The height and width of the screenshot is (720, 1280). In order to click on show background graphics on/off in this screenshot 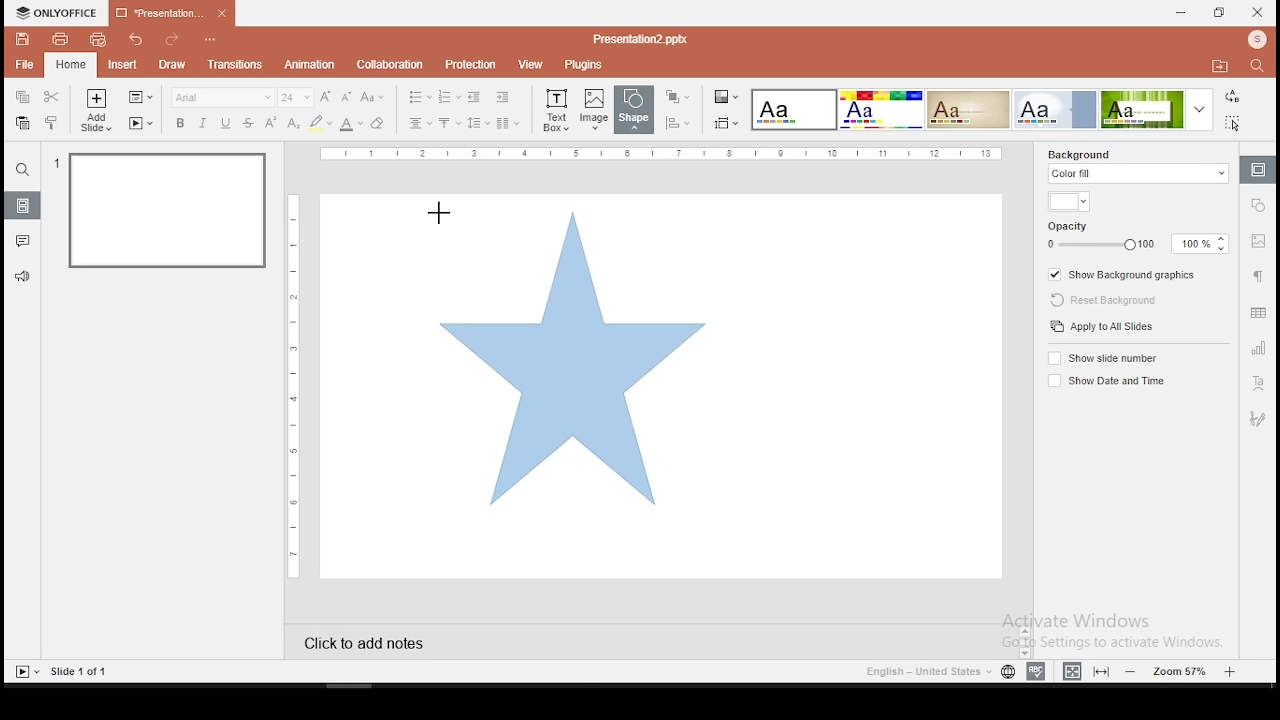, I will do `click(1125, 273)`.